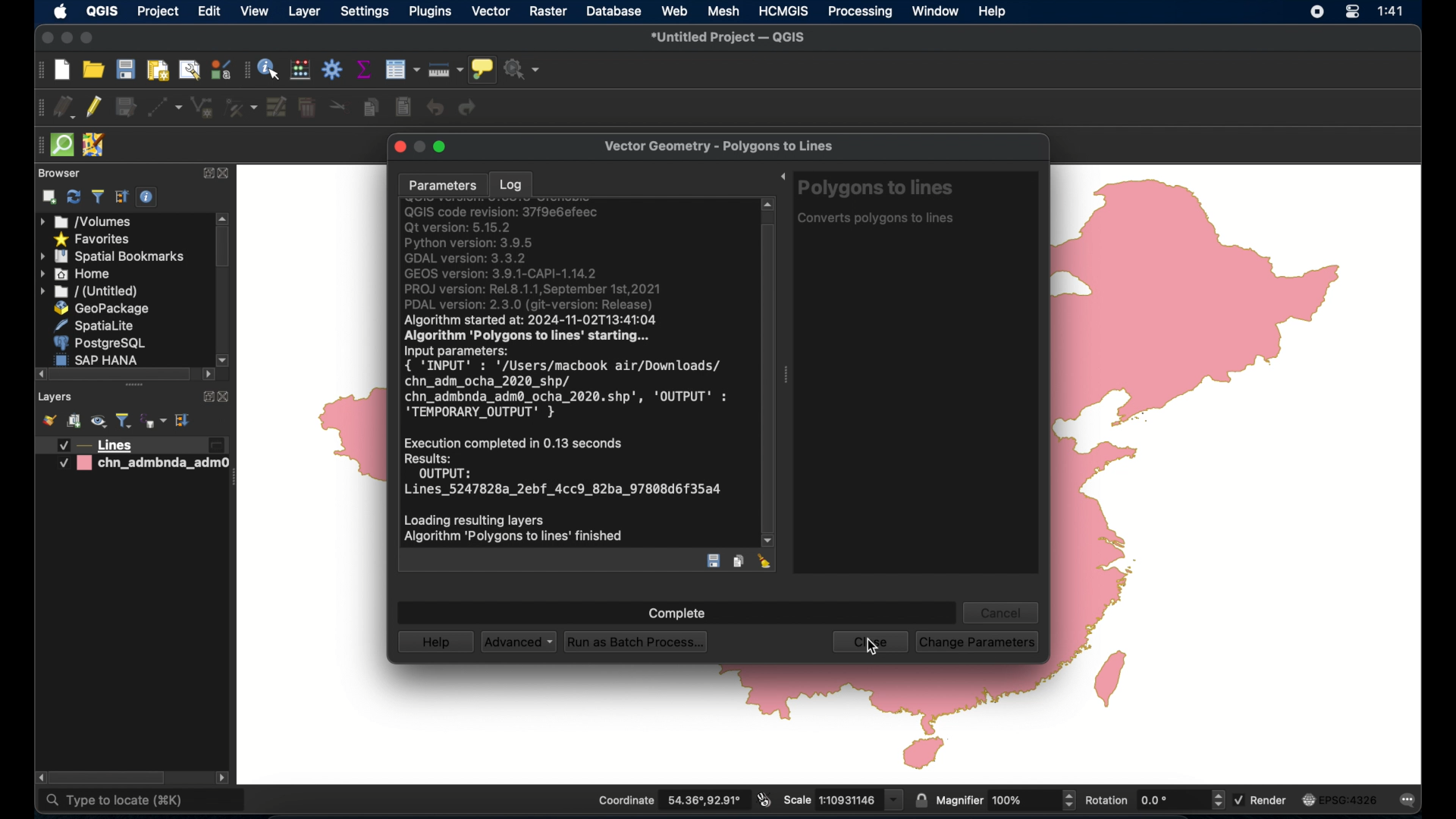  What do you see at coordinates (674, 11) in the screenshot?
I see `web` at bounding box center [674, 11].